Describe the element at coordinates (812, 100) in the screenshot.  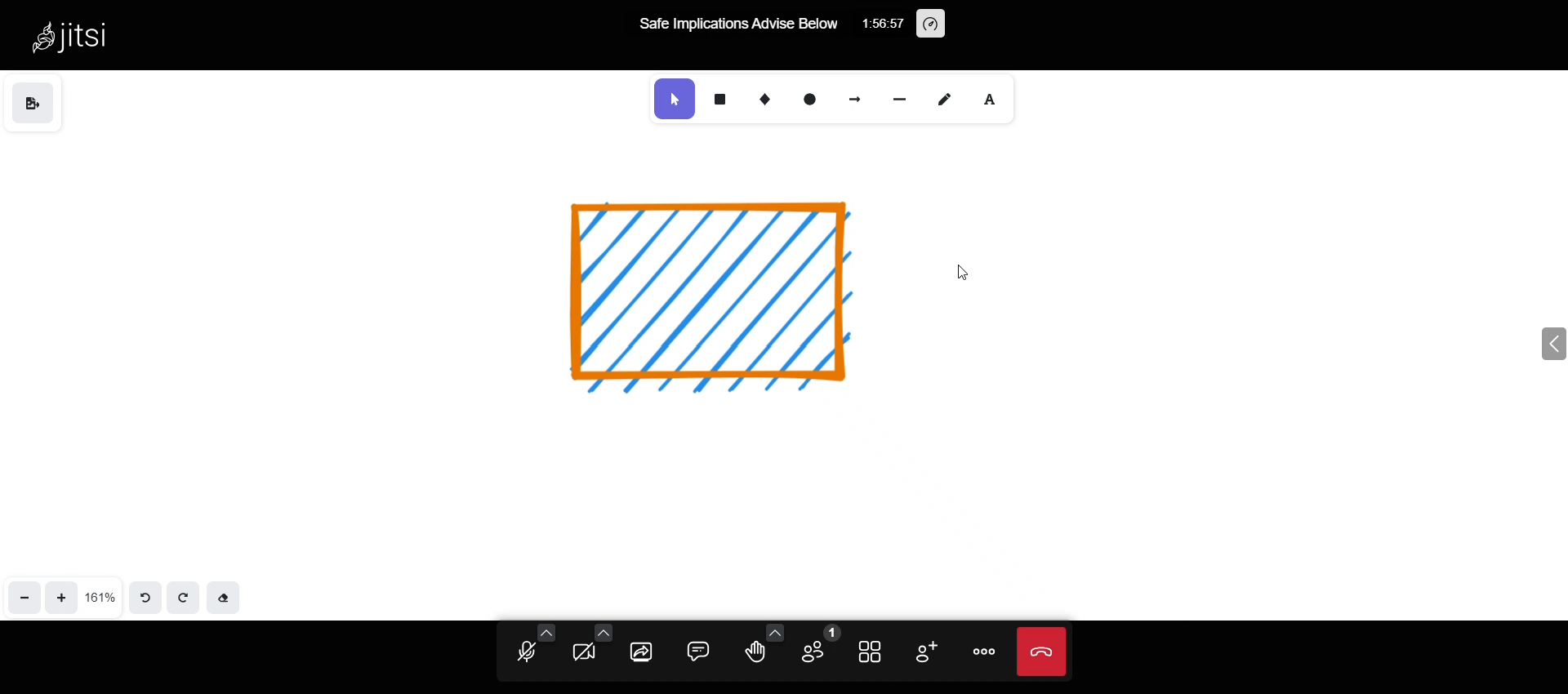
I see `ellipse` at that location.